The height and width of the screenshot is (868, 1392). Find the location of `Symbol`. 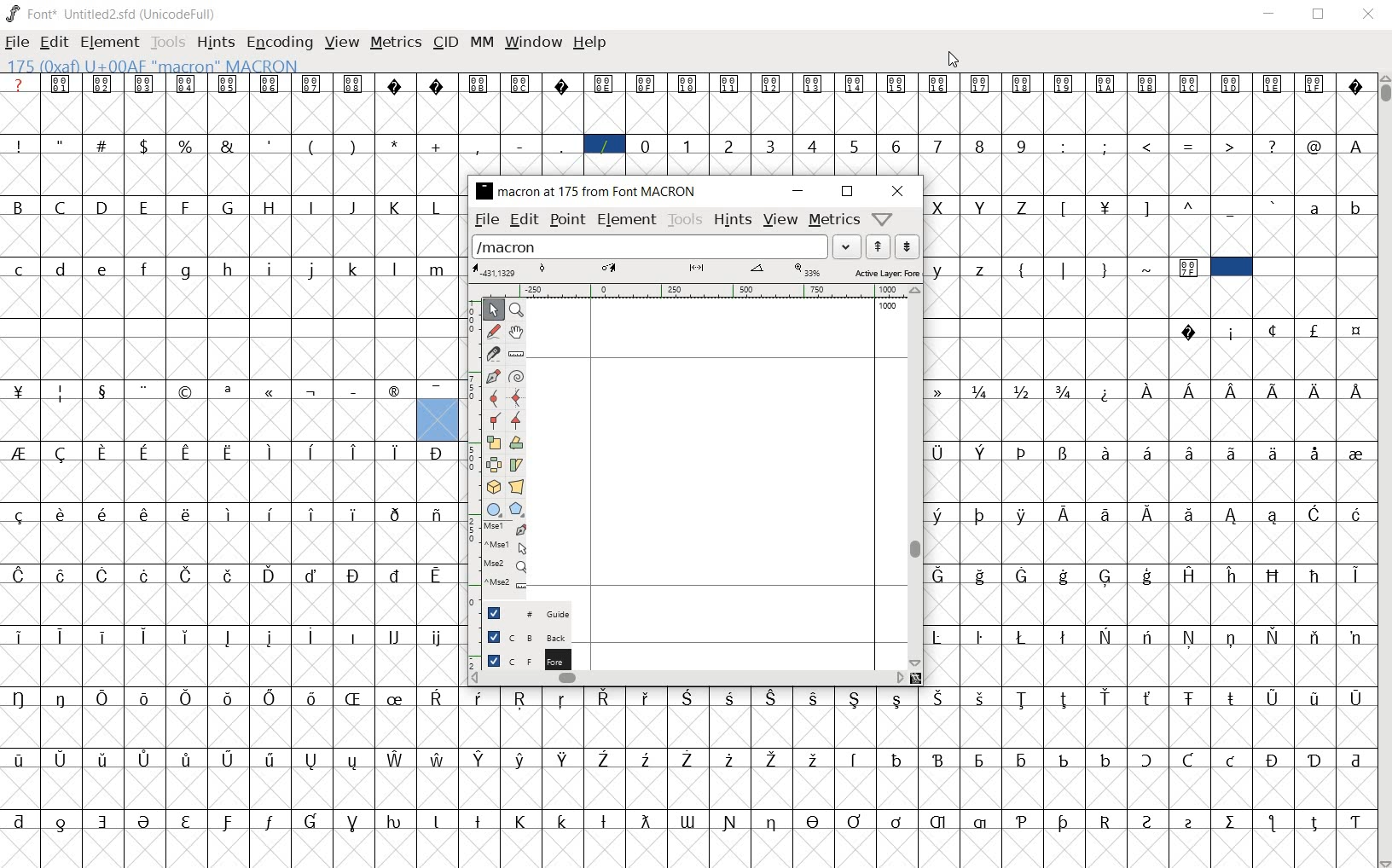

Symbol is located at coordinates (438, 454).